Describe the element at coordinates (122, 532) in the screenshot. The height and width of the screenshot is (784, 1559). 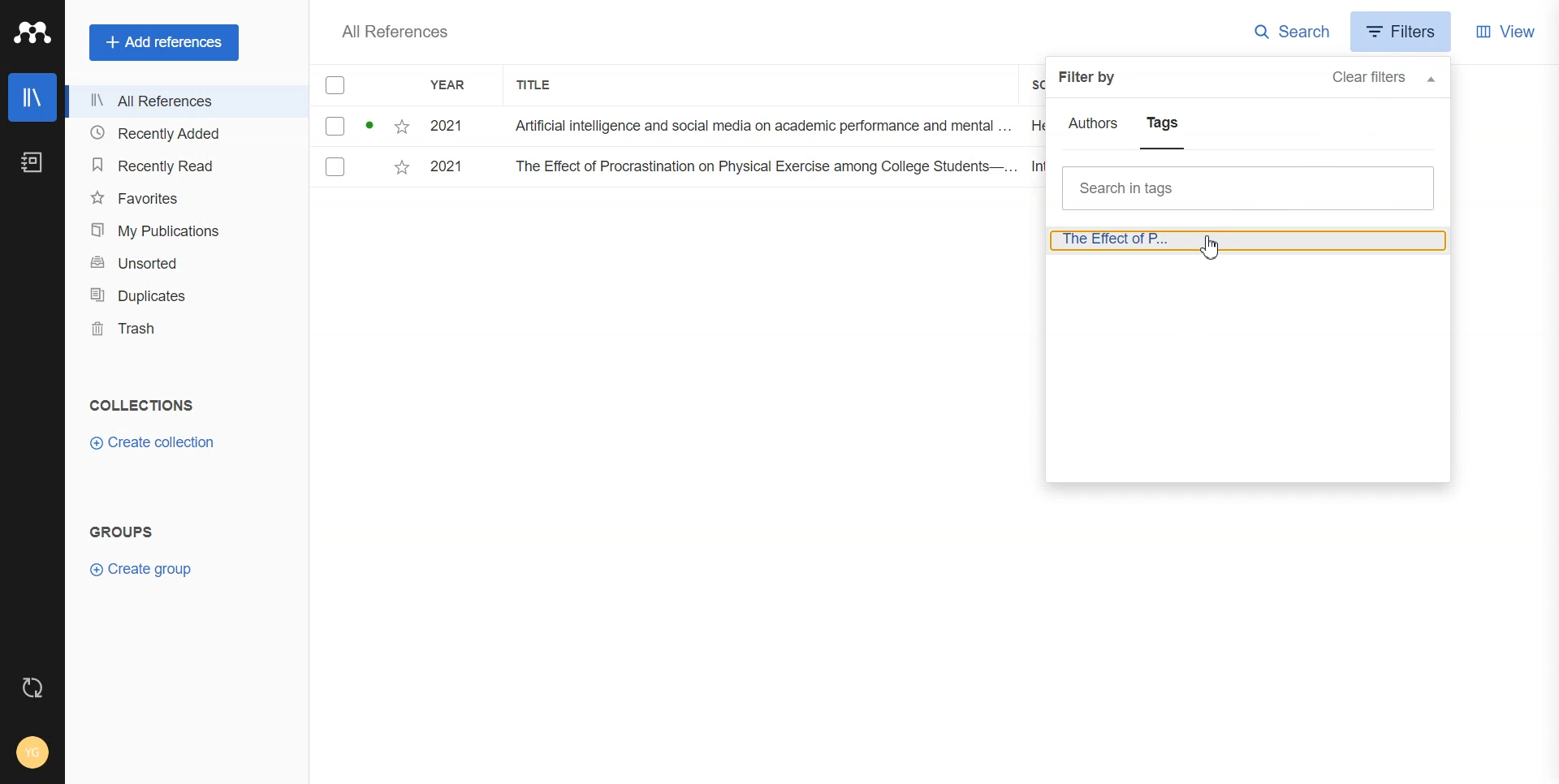
I see `Text` at that location.